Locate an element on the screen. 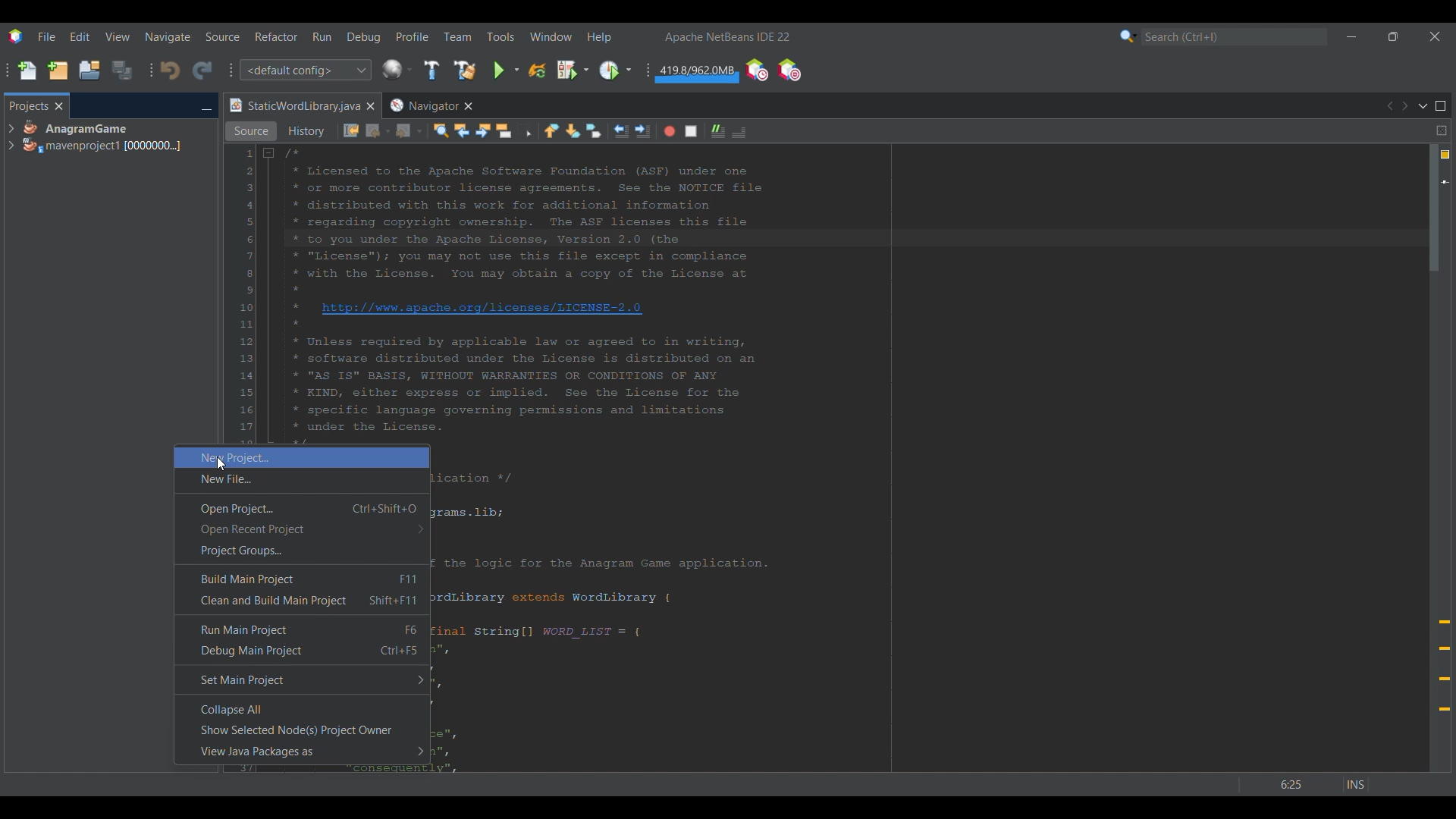 The image size is (1456, 819). Toggle highlight search is located at coordinates (504, 130).